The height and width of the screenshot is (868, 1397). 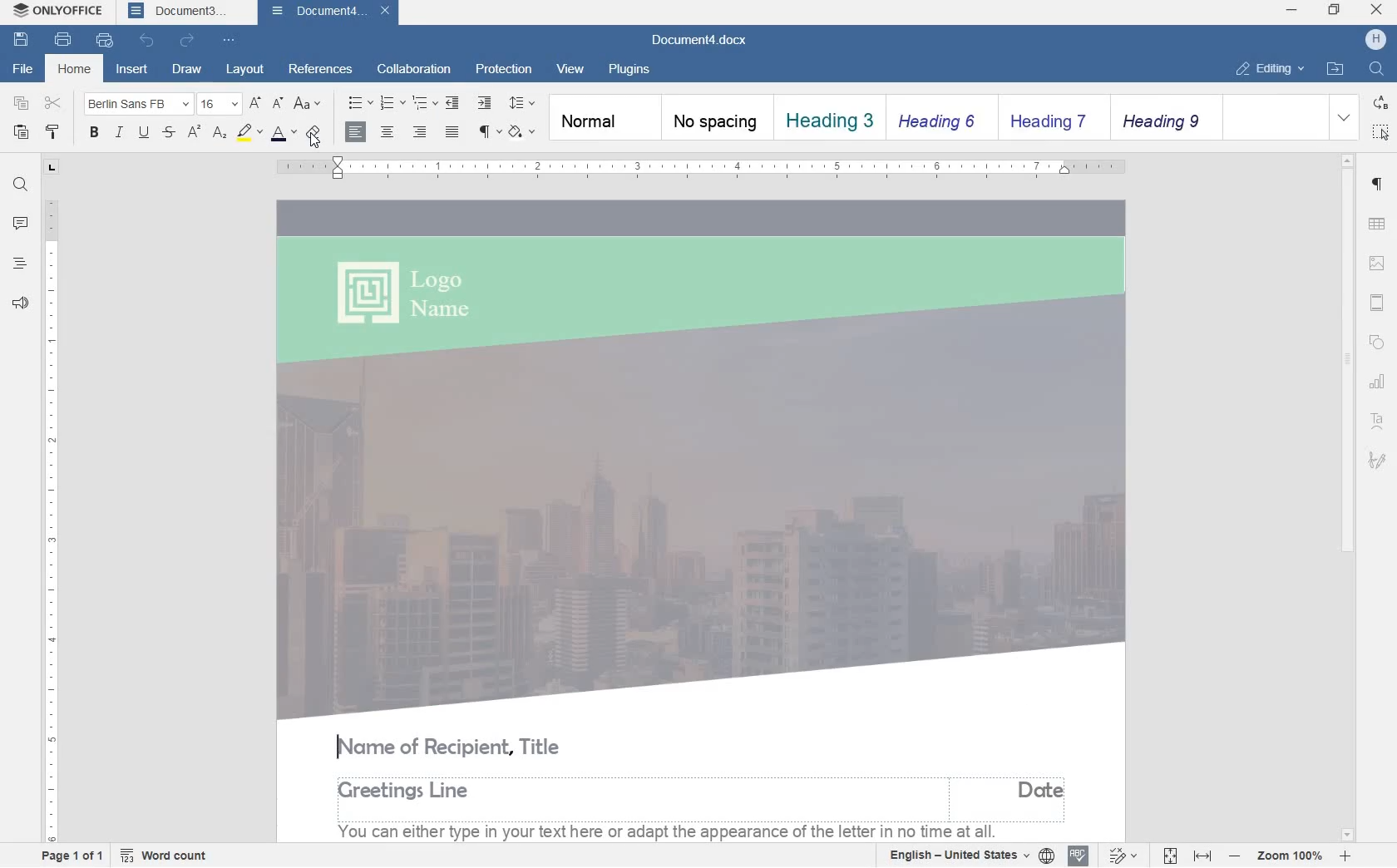 What do you see at coordinates (1345, 118) in the screenshot?
I see `expanding` at bounding box center [1345, 118].